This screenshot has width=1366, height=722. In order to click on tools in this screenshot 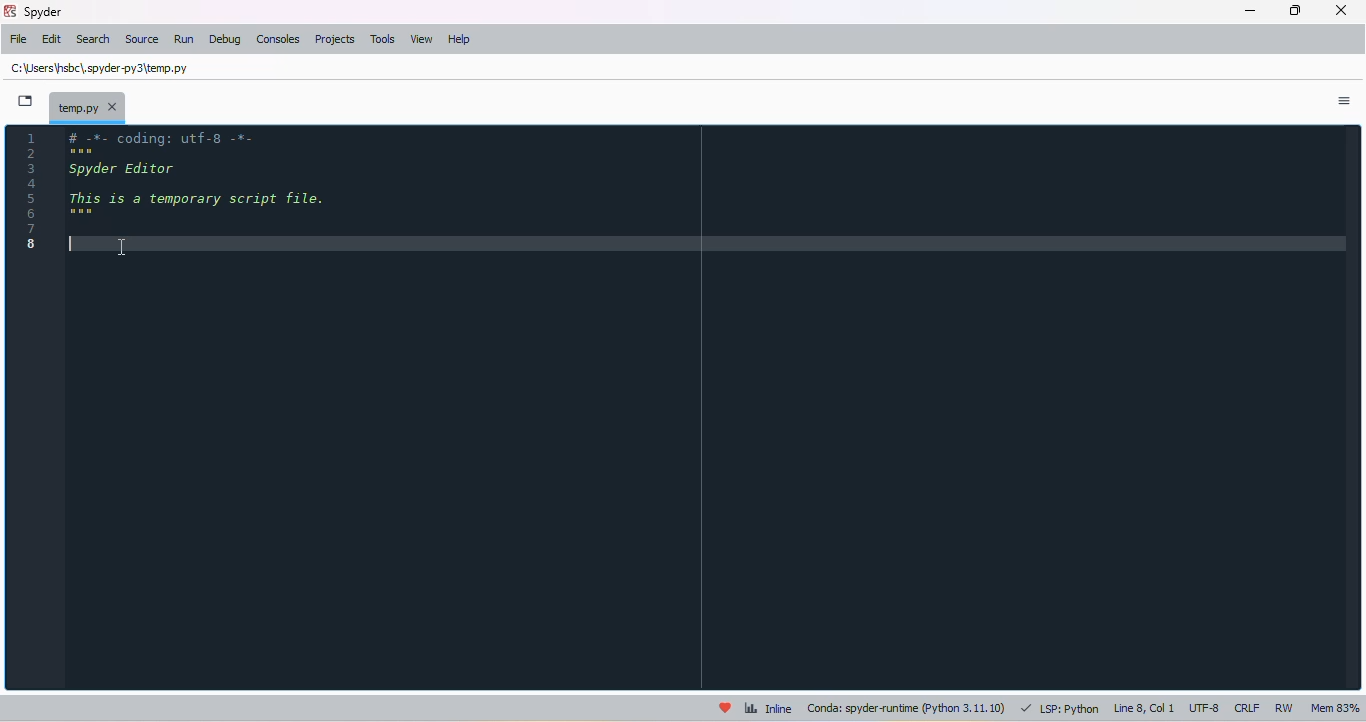, I will do `click(383, 39)`.